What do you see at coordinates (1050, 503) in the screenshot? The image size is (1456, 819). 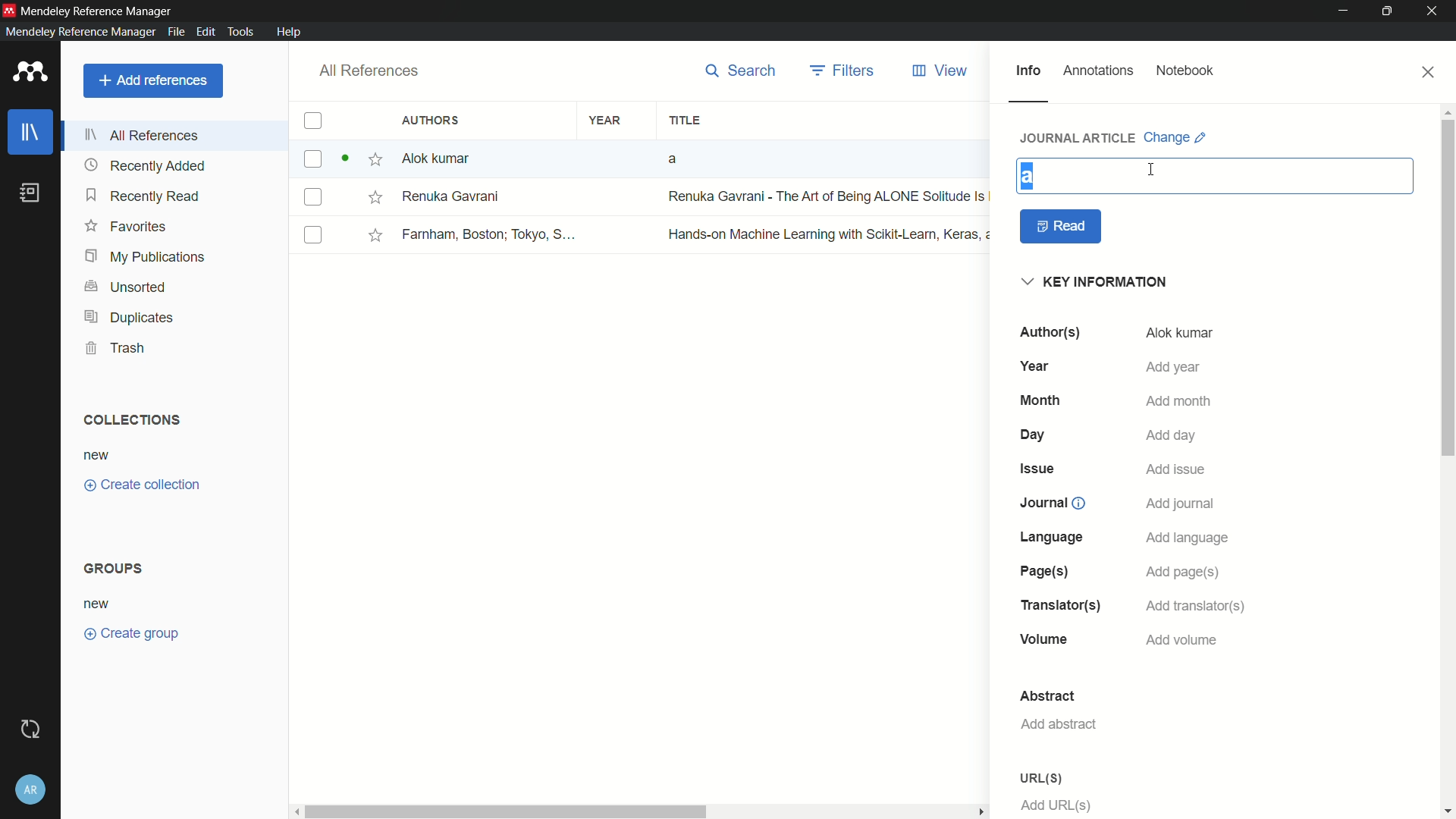 I see `journal` at bounding box center [1050, 503].